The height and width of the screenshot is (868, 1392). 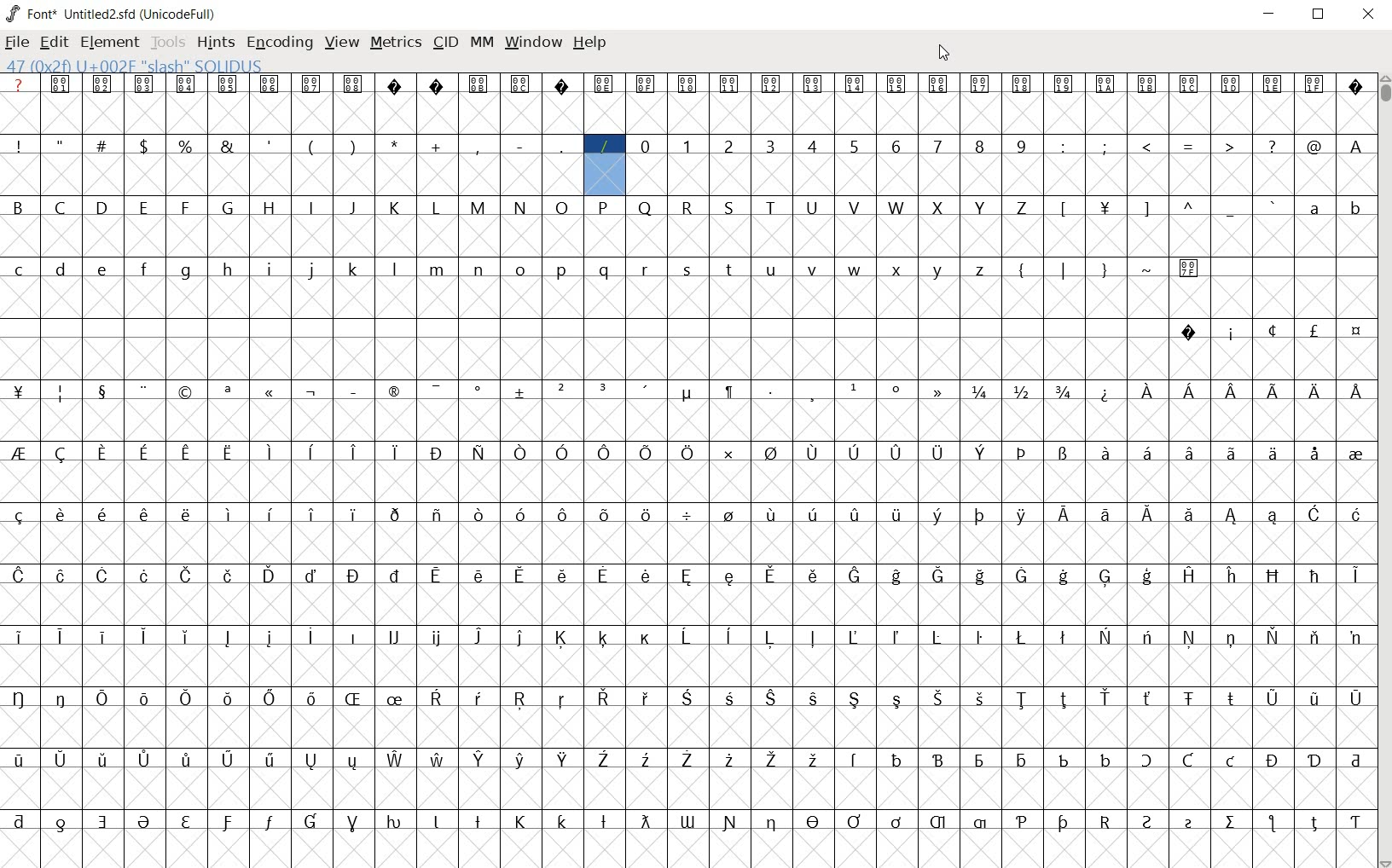 What do you see at coordinates (1022, 516) in the screenshot?
I see `glyph` at bounding box center [1022, 516].